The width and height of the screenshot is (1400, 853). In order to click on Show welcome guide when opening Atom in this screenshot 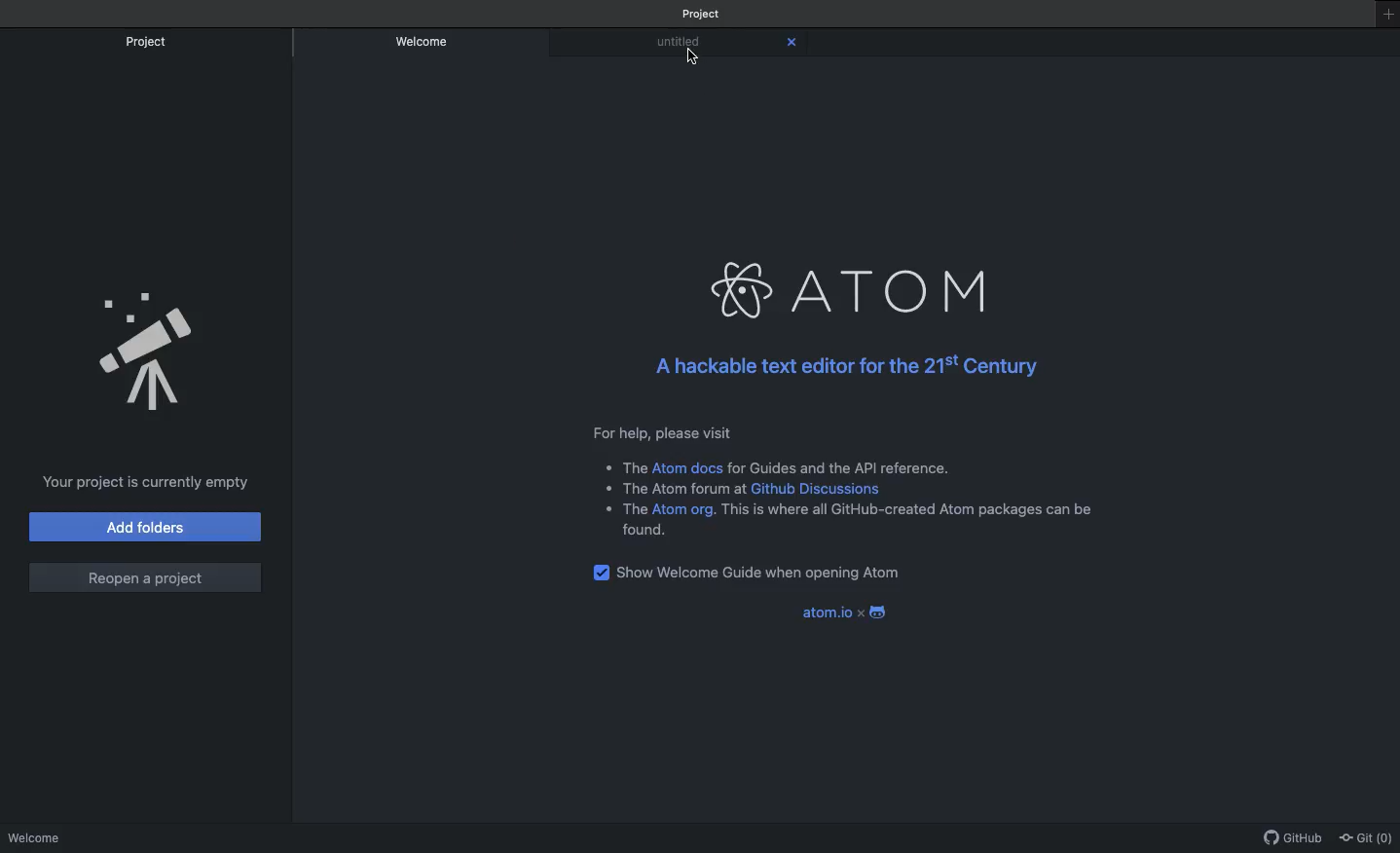, I will do `click(773, 570)`.